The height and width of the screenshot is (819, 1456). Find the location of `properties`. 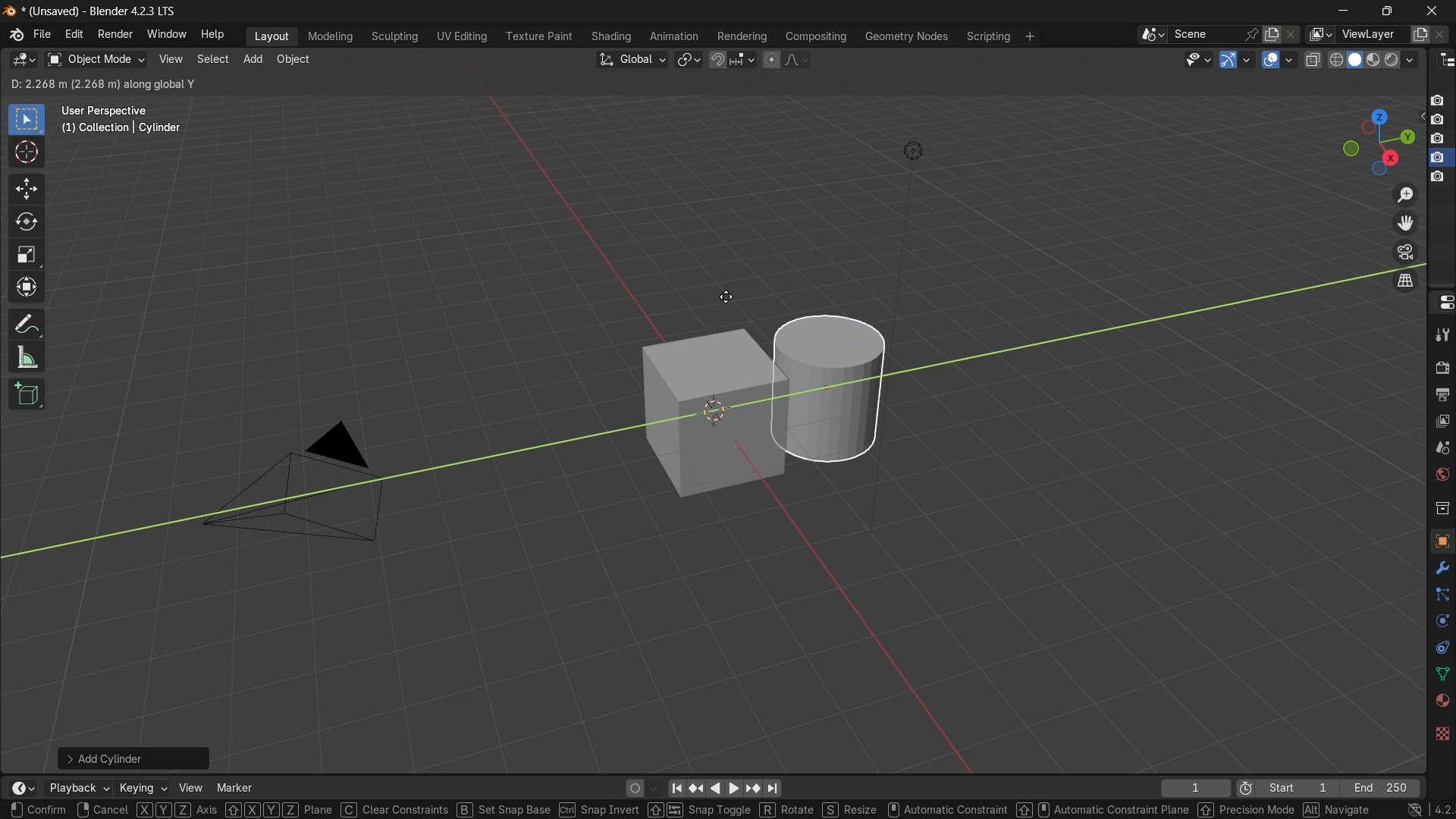

properties is located at coordinates (1442, 303).